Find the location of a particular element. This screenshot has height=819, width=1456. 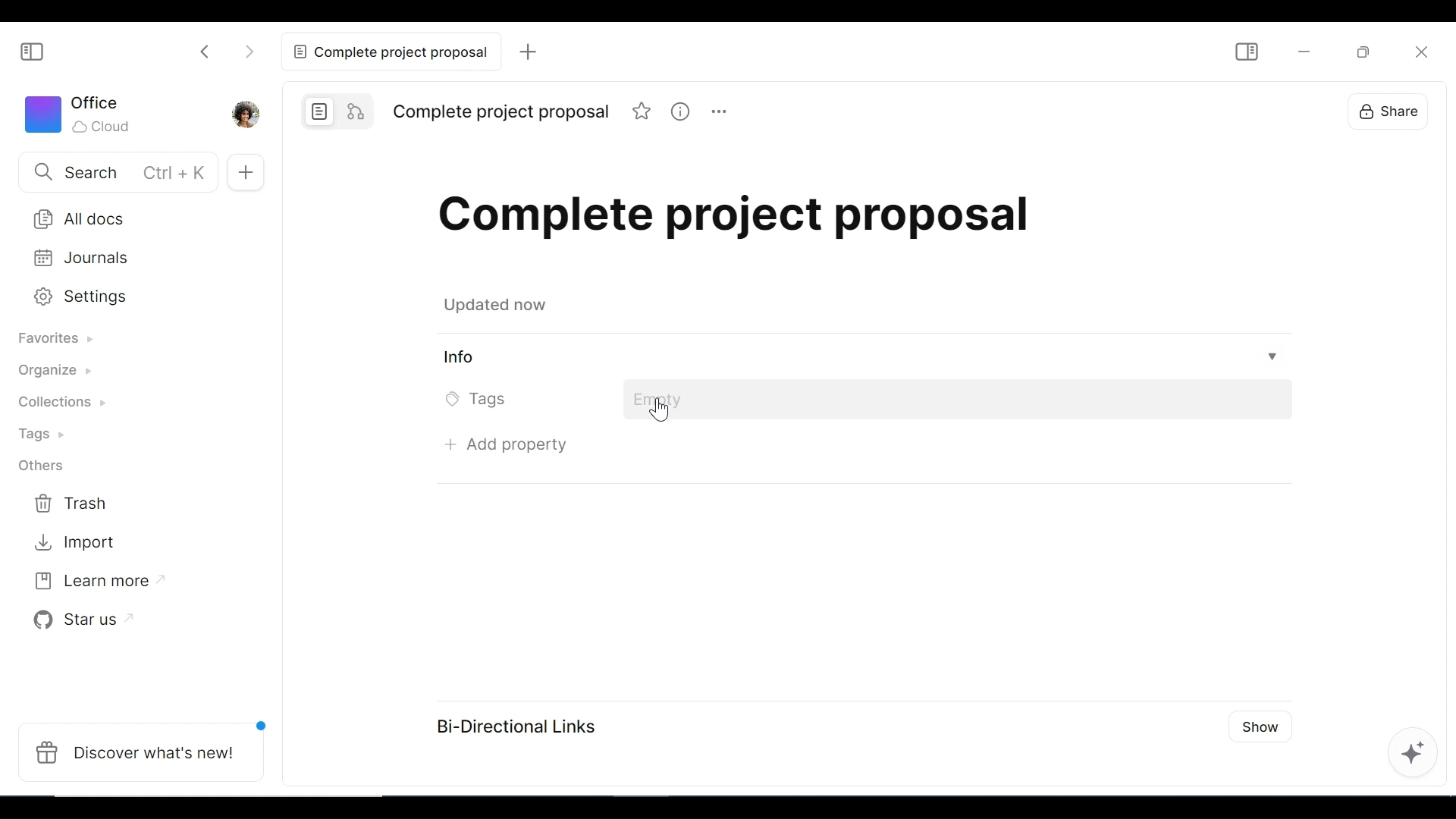

minimize is located at coordinates (1304, 50).